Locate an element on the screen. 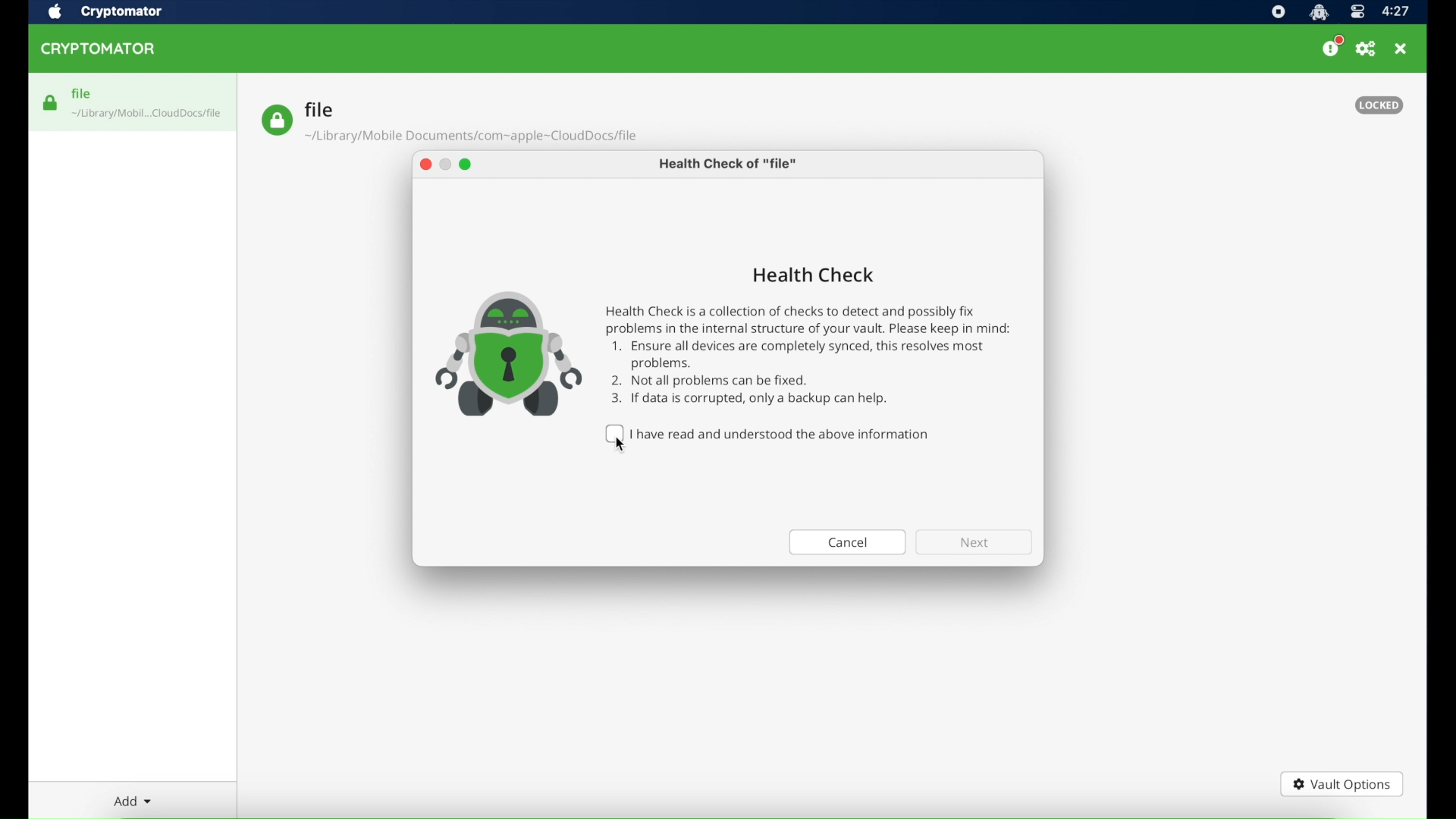 This screenshot has width=1456, height=819. file highlighted is located at coordinates (133, 102).